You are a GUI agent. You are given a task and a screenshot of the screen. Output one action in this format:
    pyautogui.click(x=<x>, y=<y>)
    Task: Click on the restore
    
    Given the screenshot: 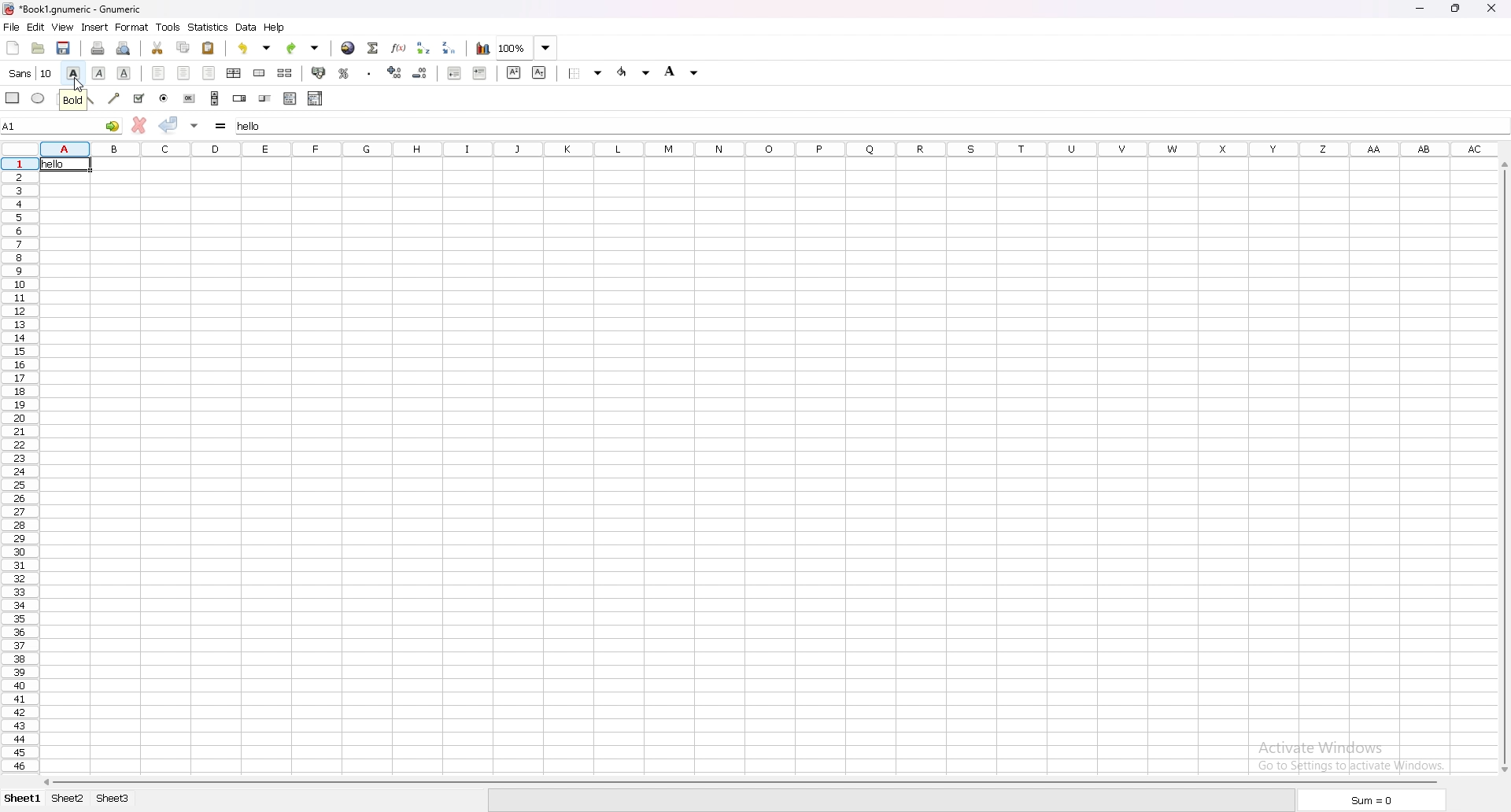 What is the action you would take?
    pyautogui.click(x=1456, y=8)
    